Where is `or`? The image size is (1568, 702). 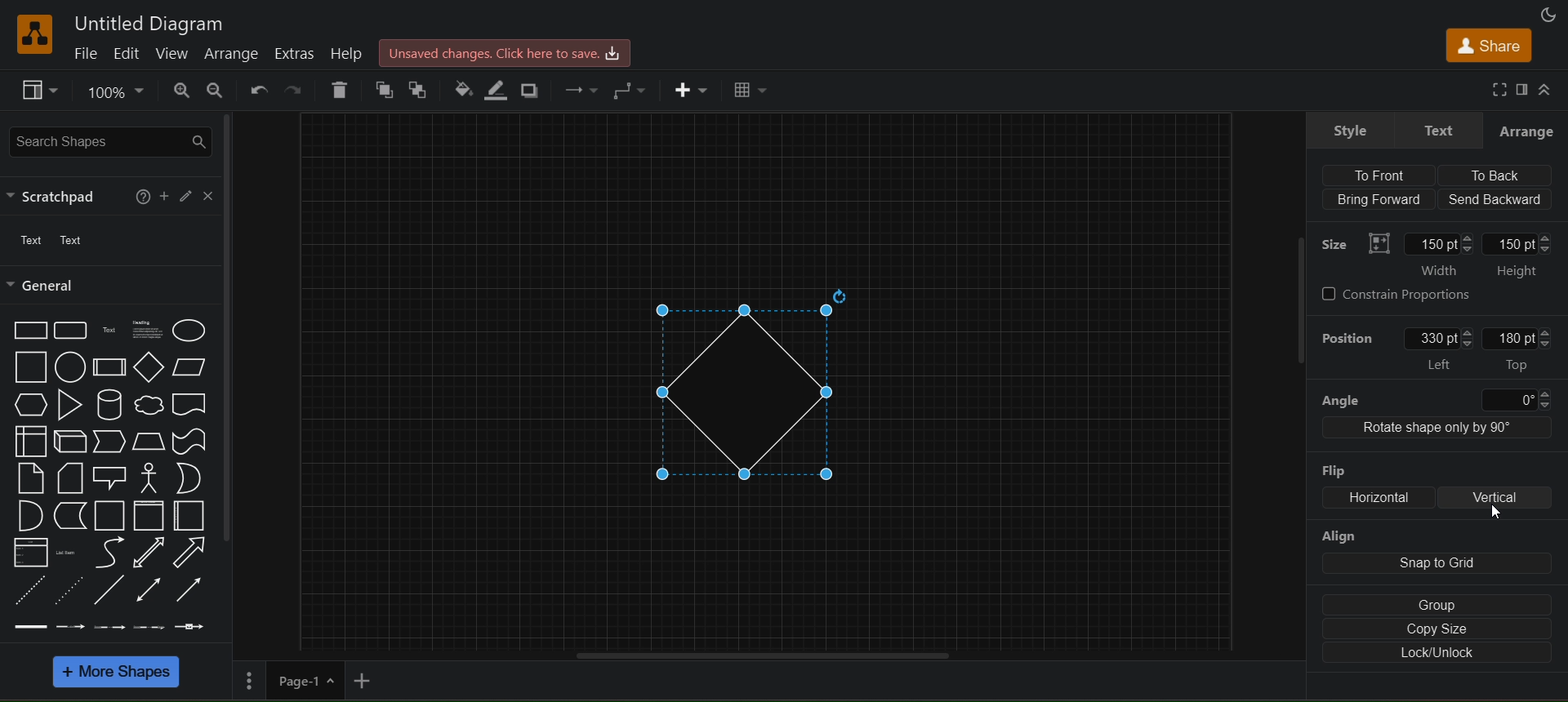
or is located at coordinates (188, 477).